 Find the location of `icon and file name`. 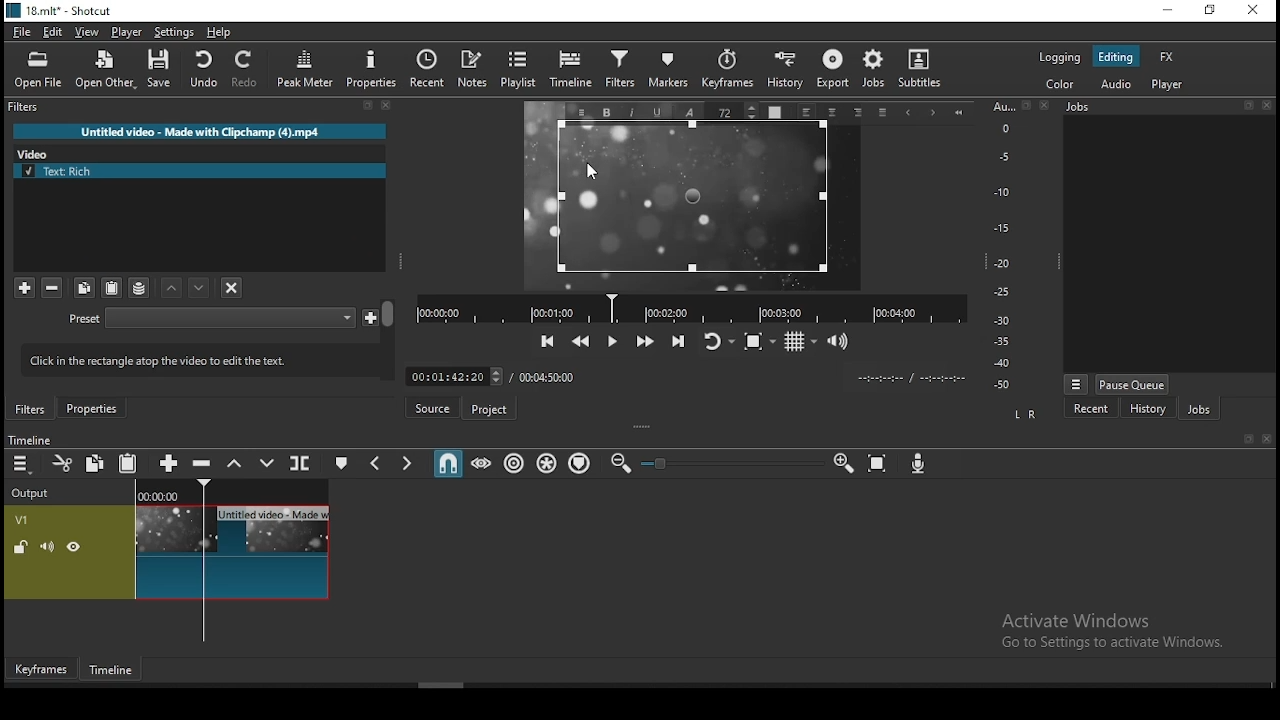

icon and file name is located at coordinates (58, 11).